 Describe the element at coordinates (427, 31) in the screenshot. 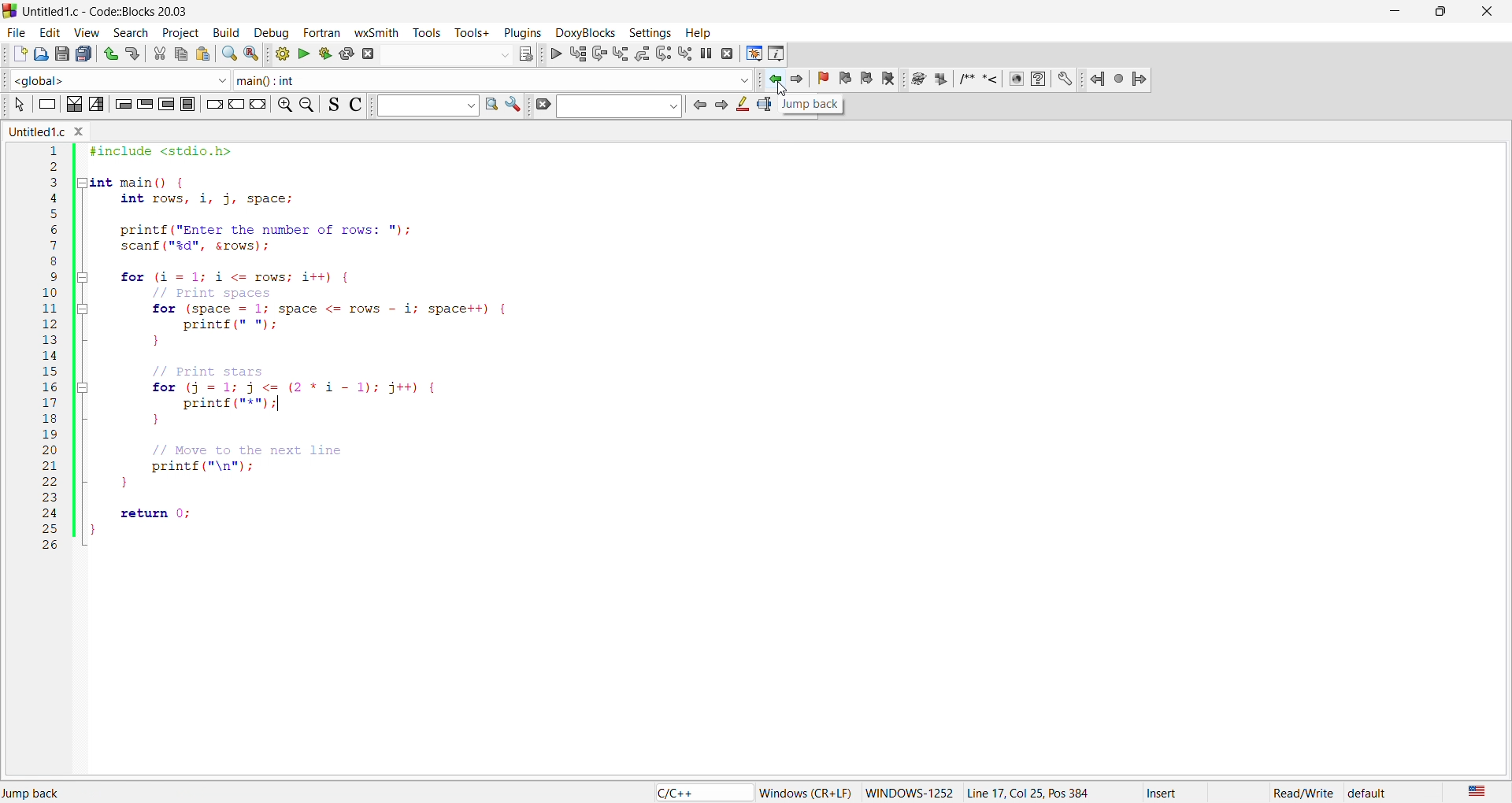

I see `tools` at that location.